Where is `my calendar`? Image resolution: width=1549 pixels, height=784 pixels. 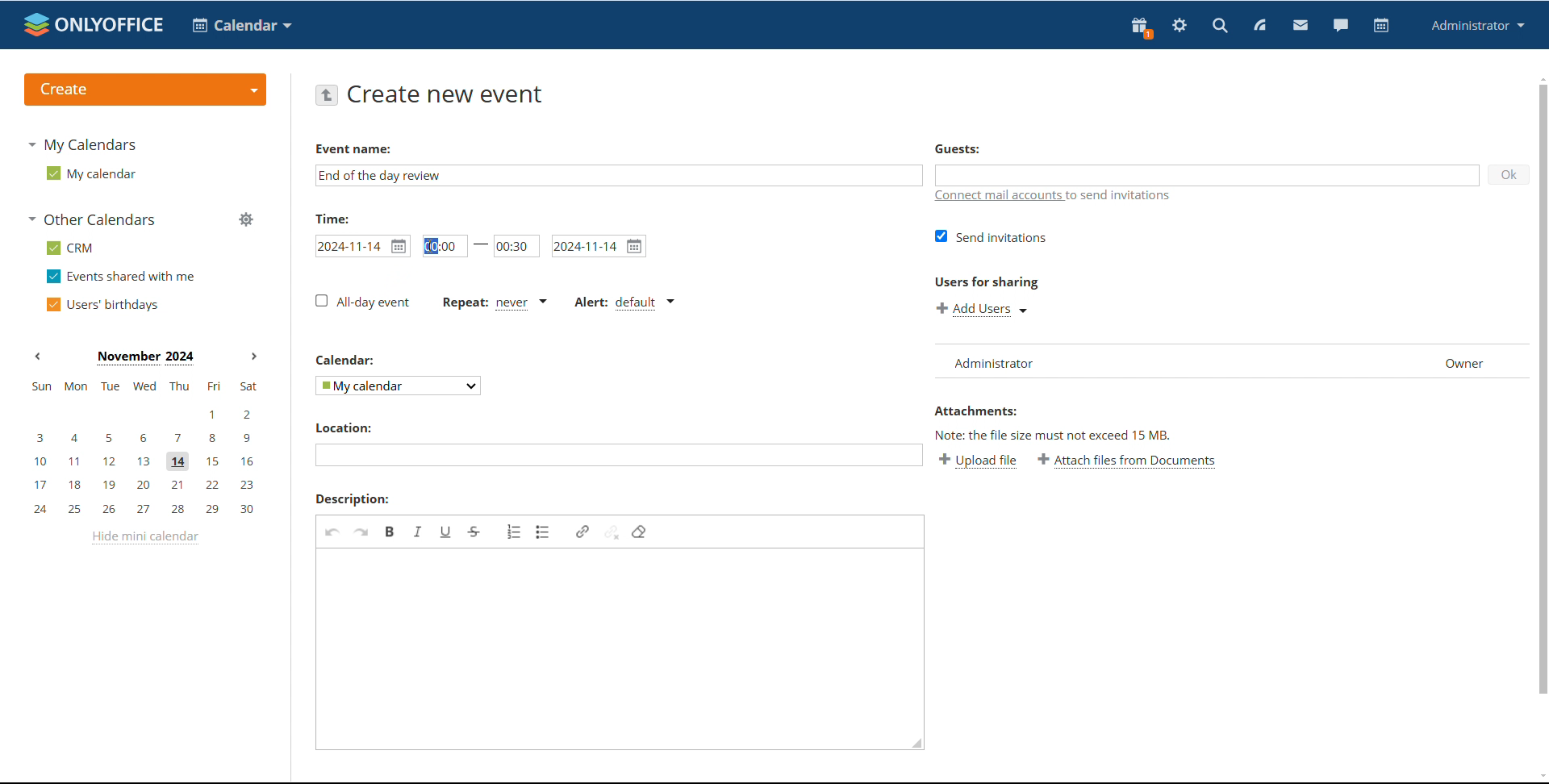
my calendar is located at coordinates (90, 173).